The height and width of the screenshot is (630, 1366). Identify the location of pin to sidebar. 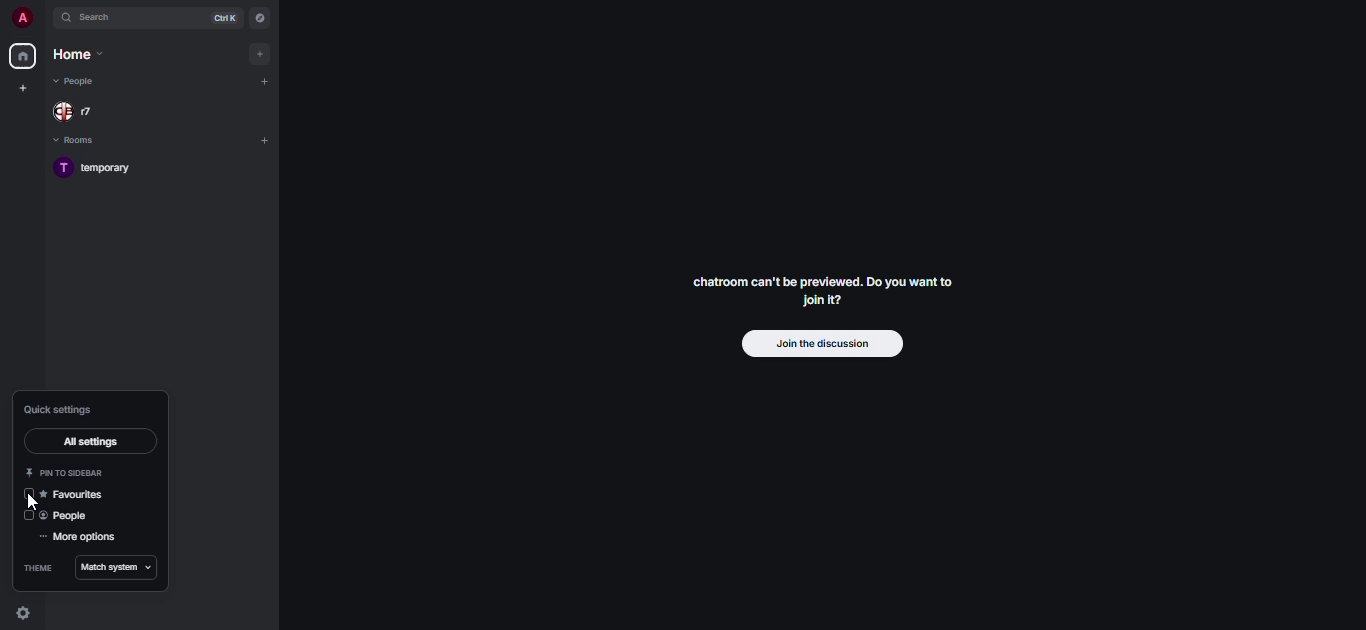
(63, 473).